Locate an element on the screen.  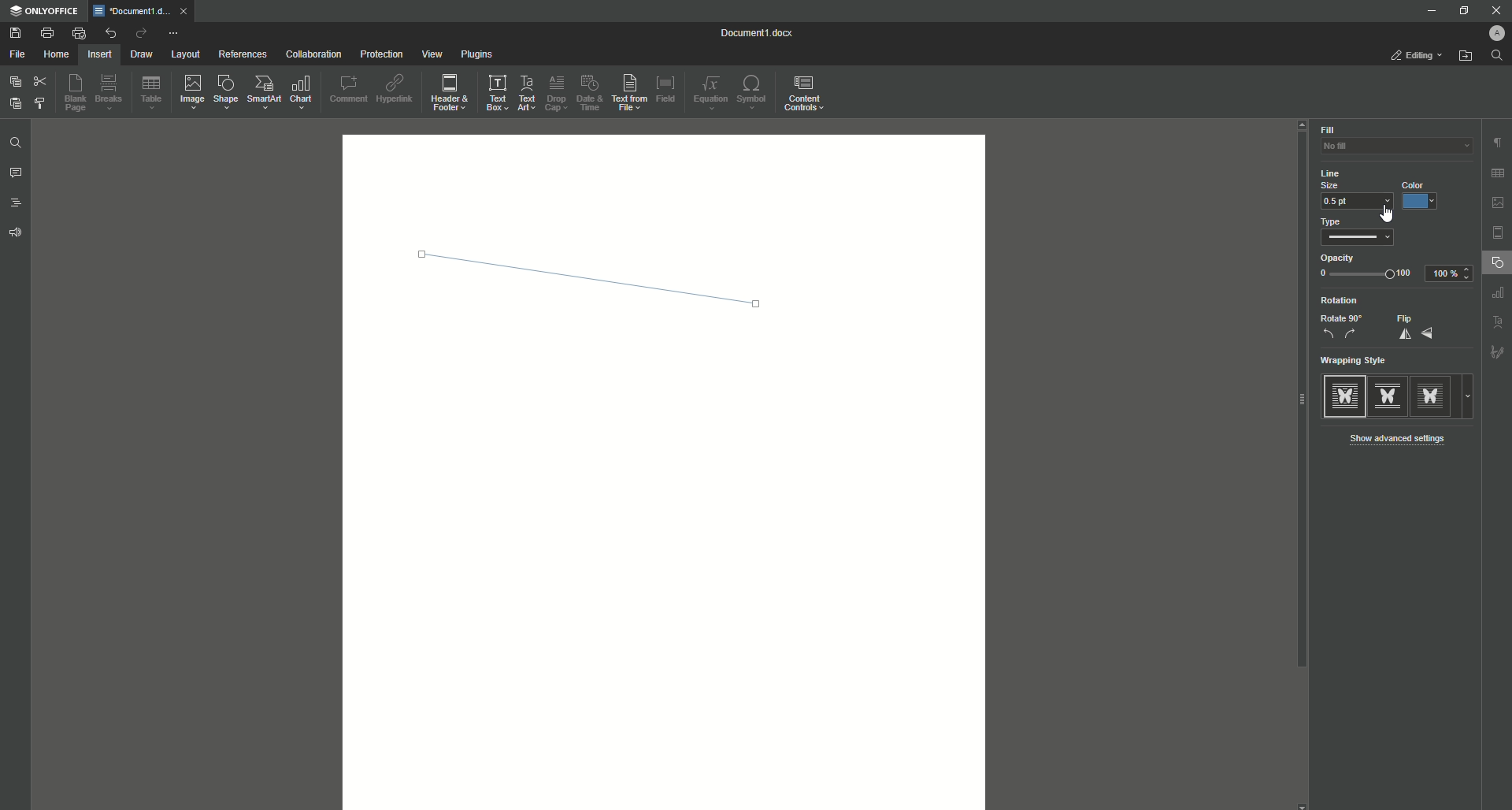
Feedback is located at coordinates (13, 236).